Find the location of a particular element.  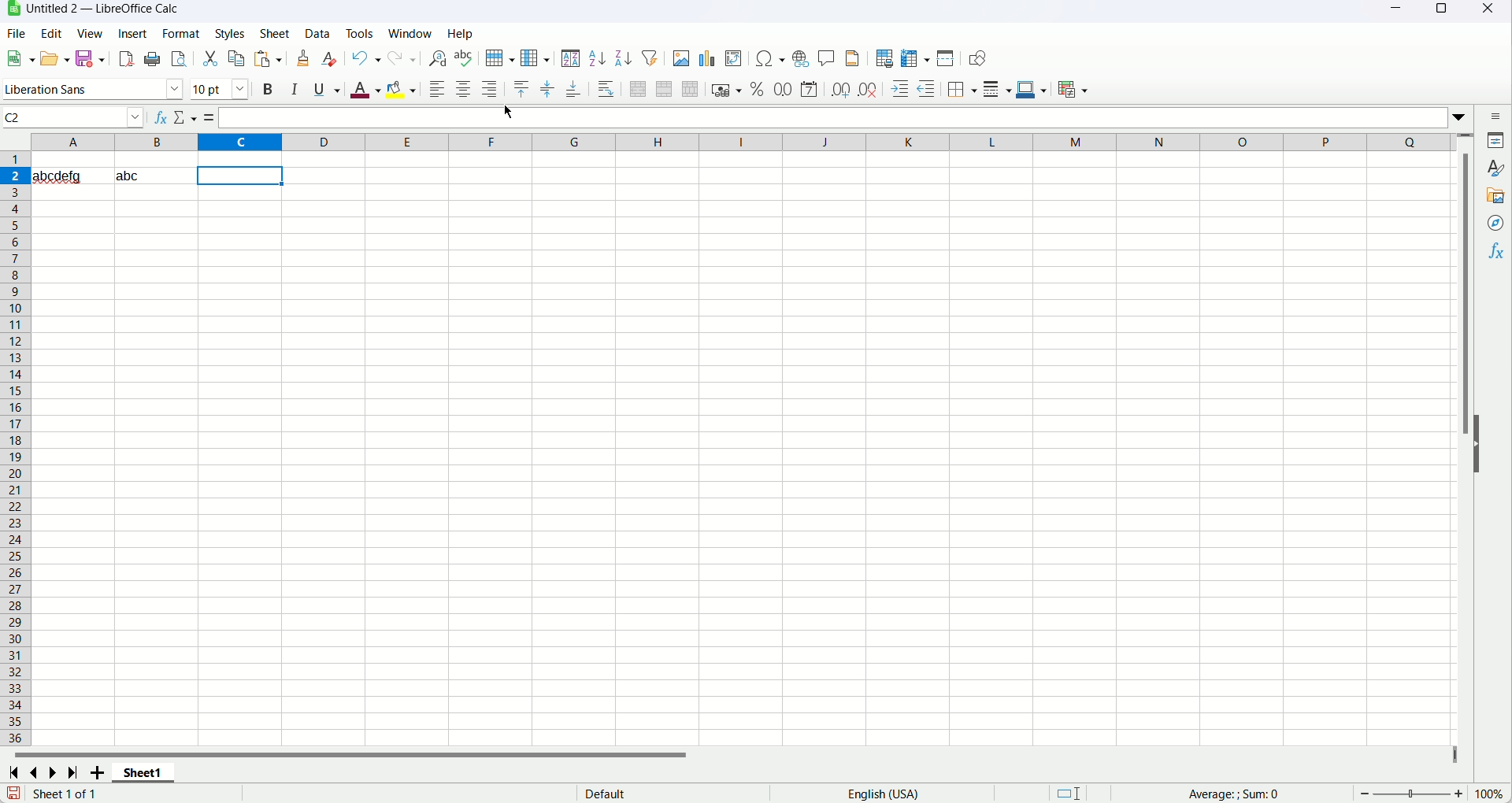

draw function is located at coordinates (979, 59).